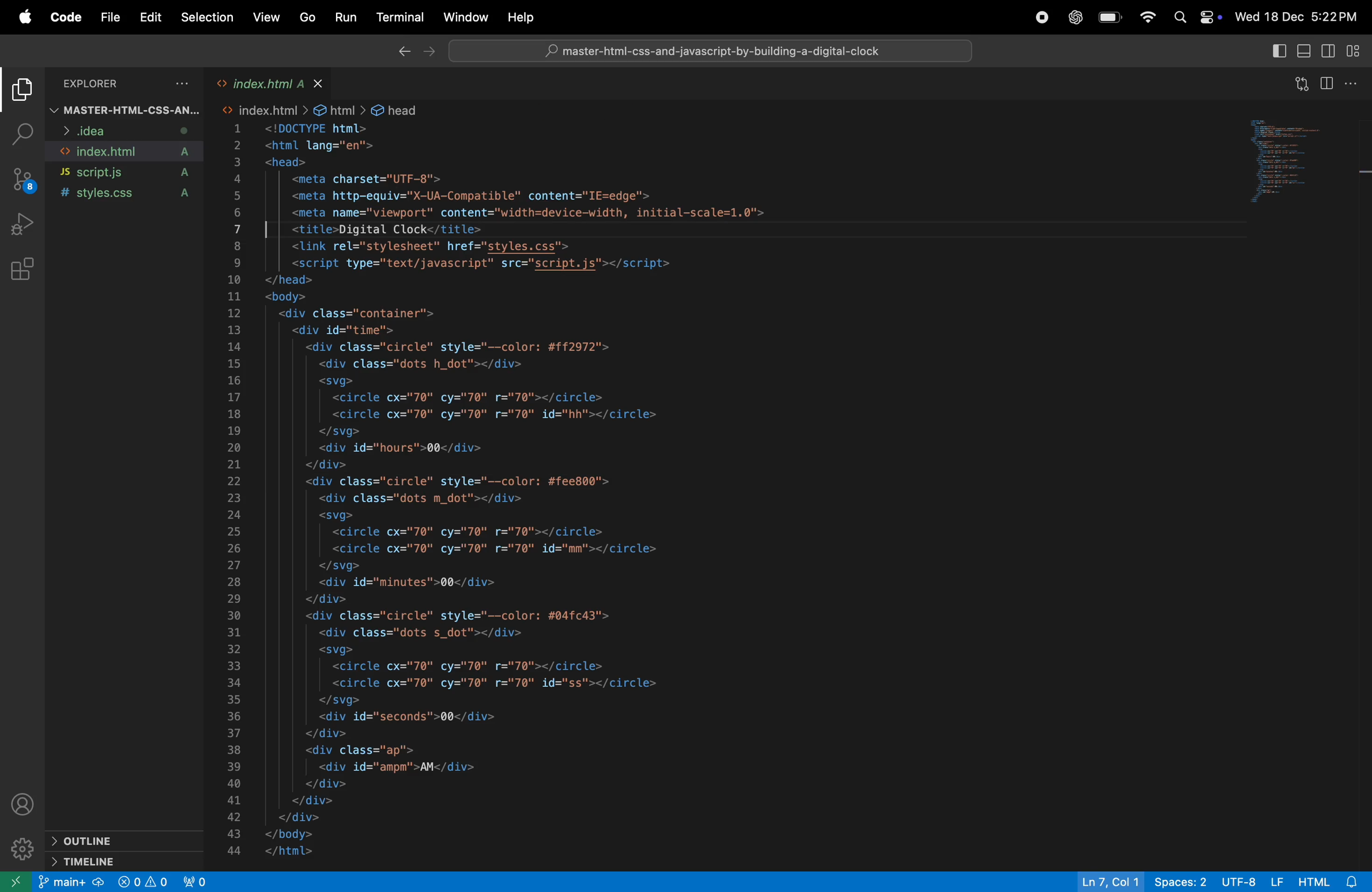 Image resolution: width=1372 pixels, height=892 pixels. Describe the element at coordinates (1303, 51) in the screenshot. I see `toggle panel` at that location.